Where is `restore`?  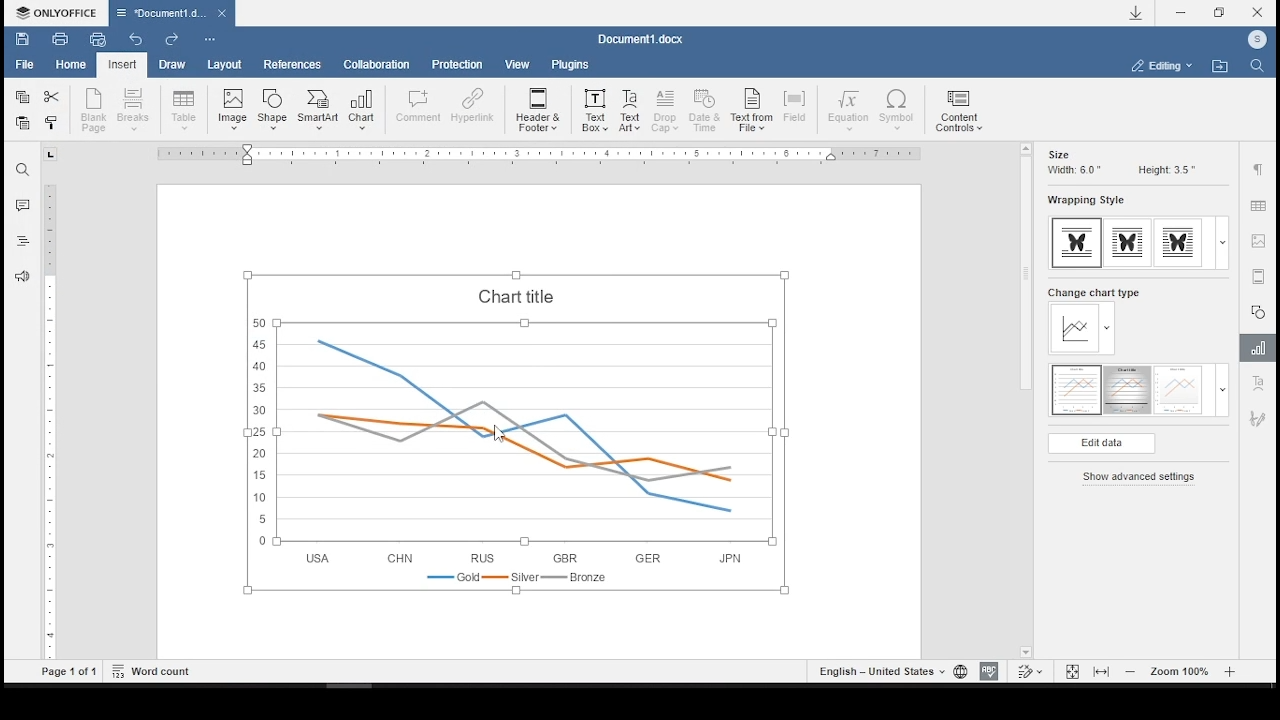
restore is located at coordinates (1222, 12).